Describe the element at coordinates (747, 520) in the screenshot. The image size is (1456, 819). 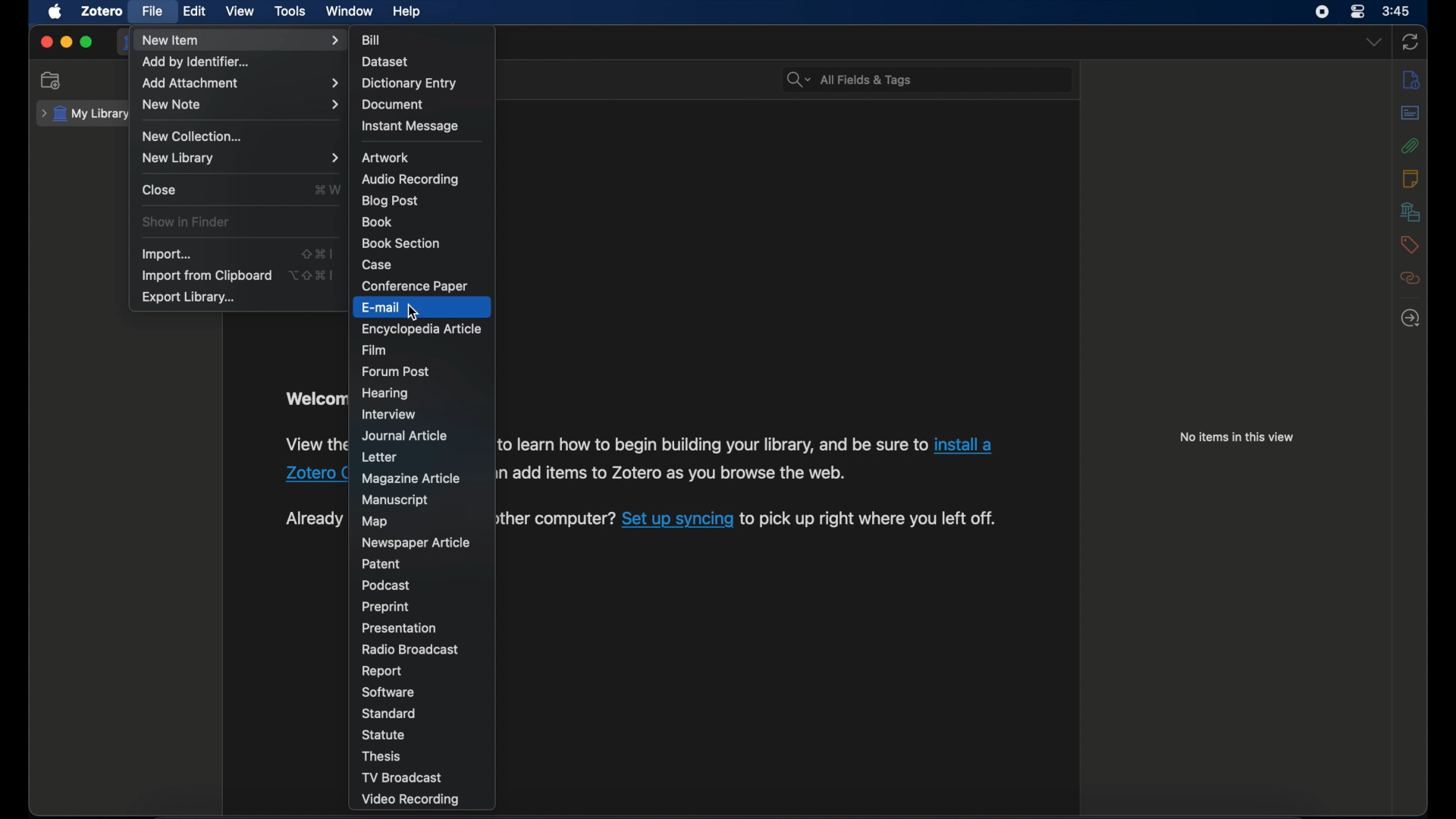
I see `syncing instruction` at that location.